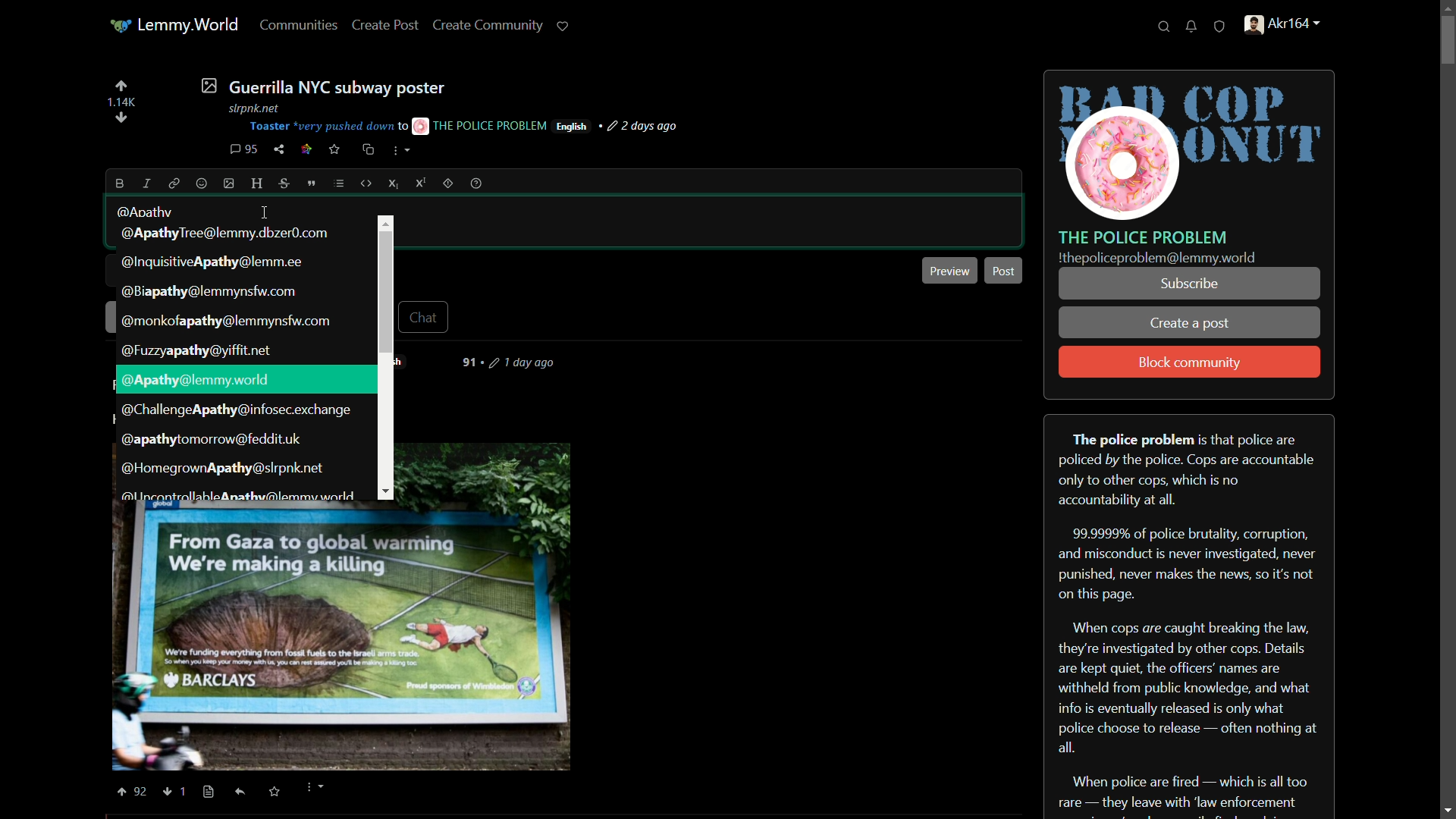 This screenshot has width=1456, height=819. Describe the element at coordinates (313, 789) in the screenshot. I see `more options` at that location.